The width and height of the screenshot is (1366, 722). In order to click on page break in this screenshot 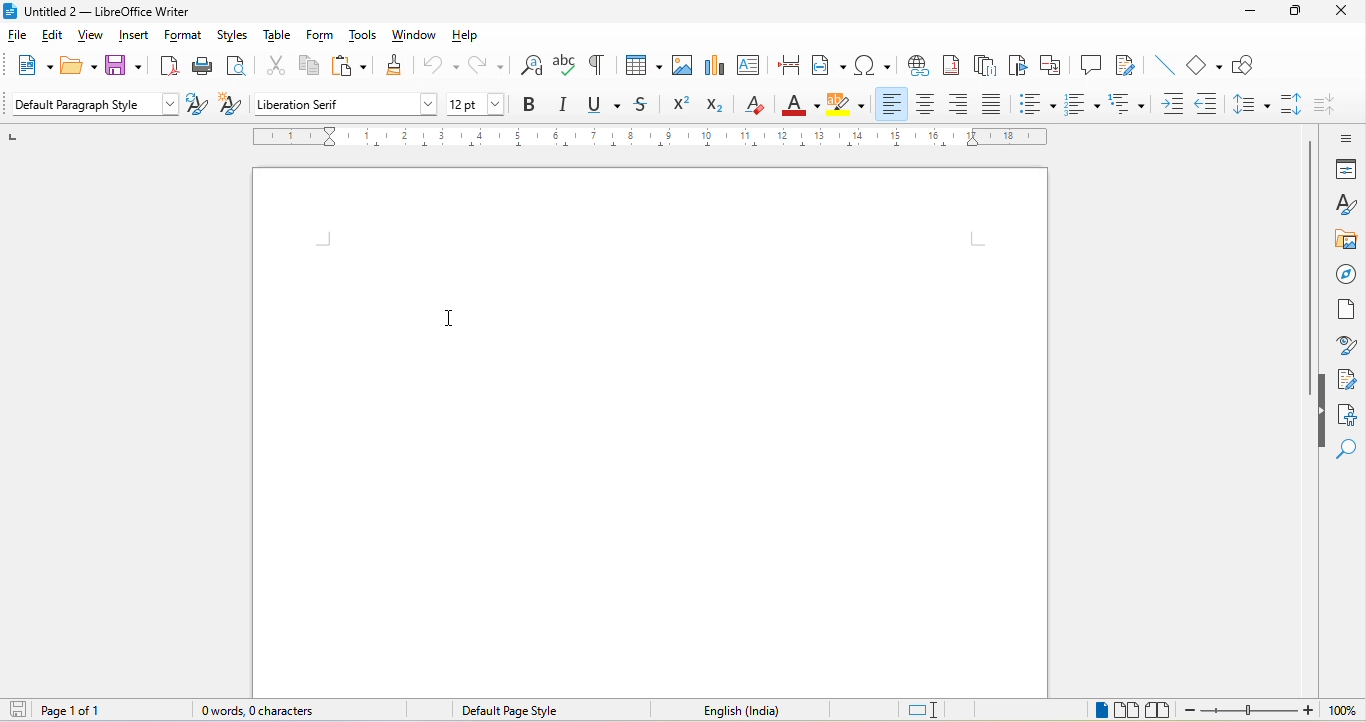, I will do `click(791, 66)`.